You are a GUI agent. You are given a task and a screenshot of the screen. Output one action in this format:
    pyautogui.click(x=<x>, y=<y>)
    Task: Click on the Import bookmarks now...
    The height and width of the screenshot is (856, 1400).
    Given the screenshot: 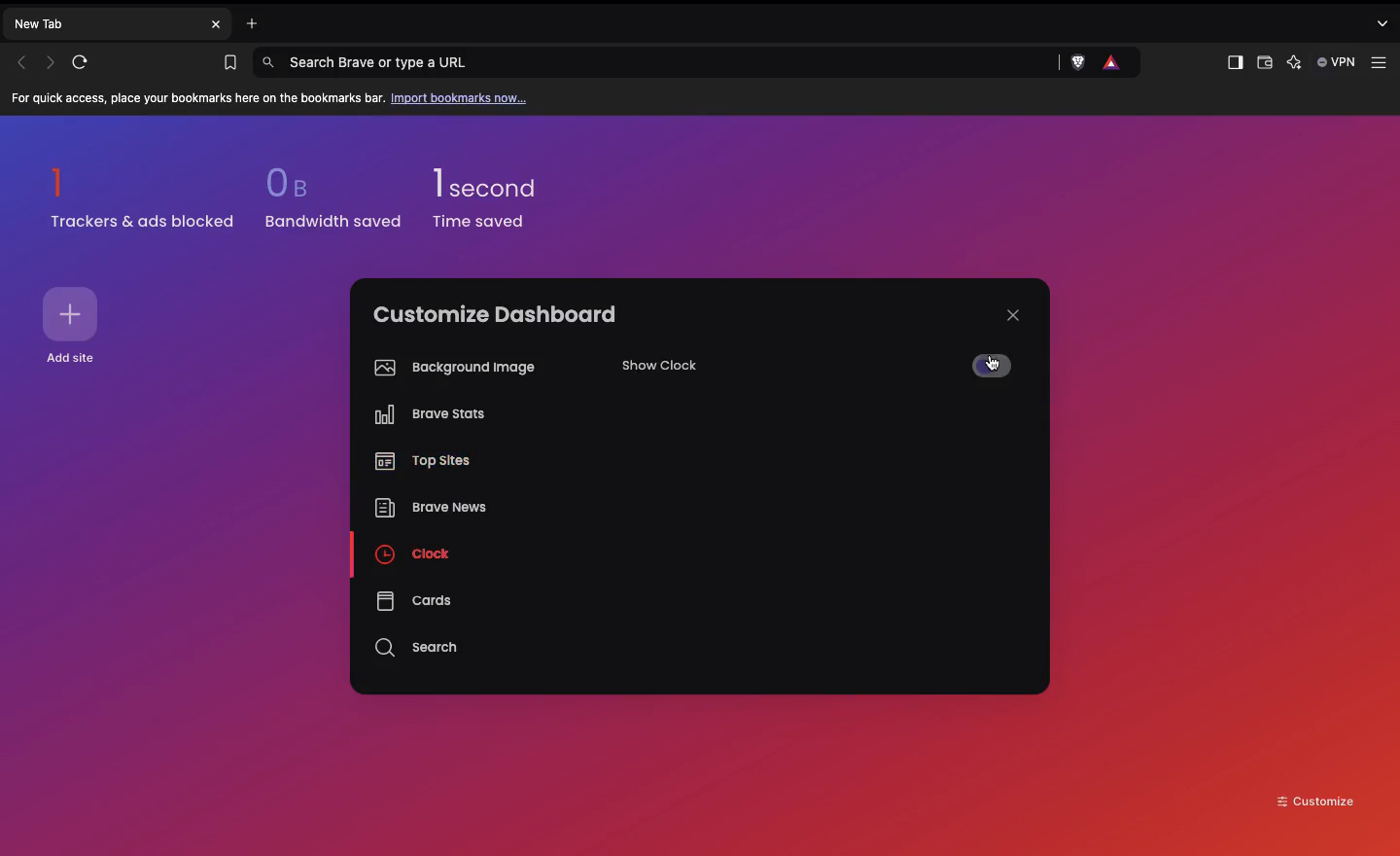 What is the action you would take?
    pyautogui.click(x=463, y=97)
    